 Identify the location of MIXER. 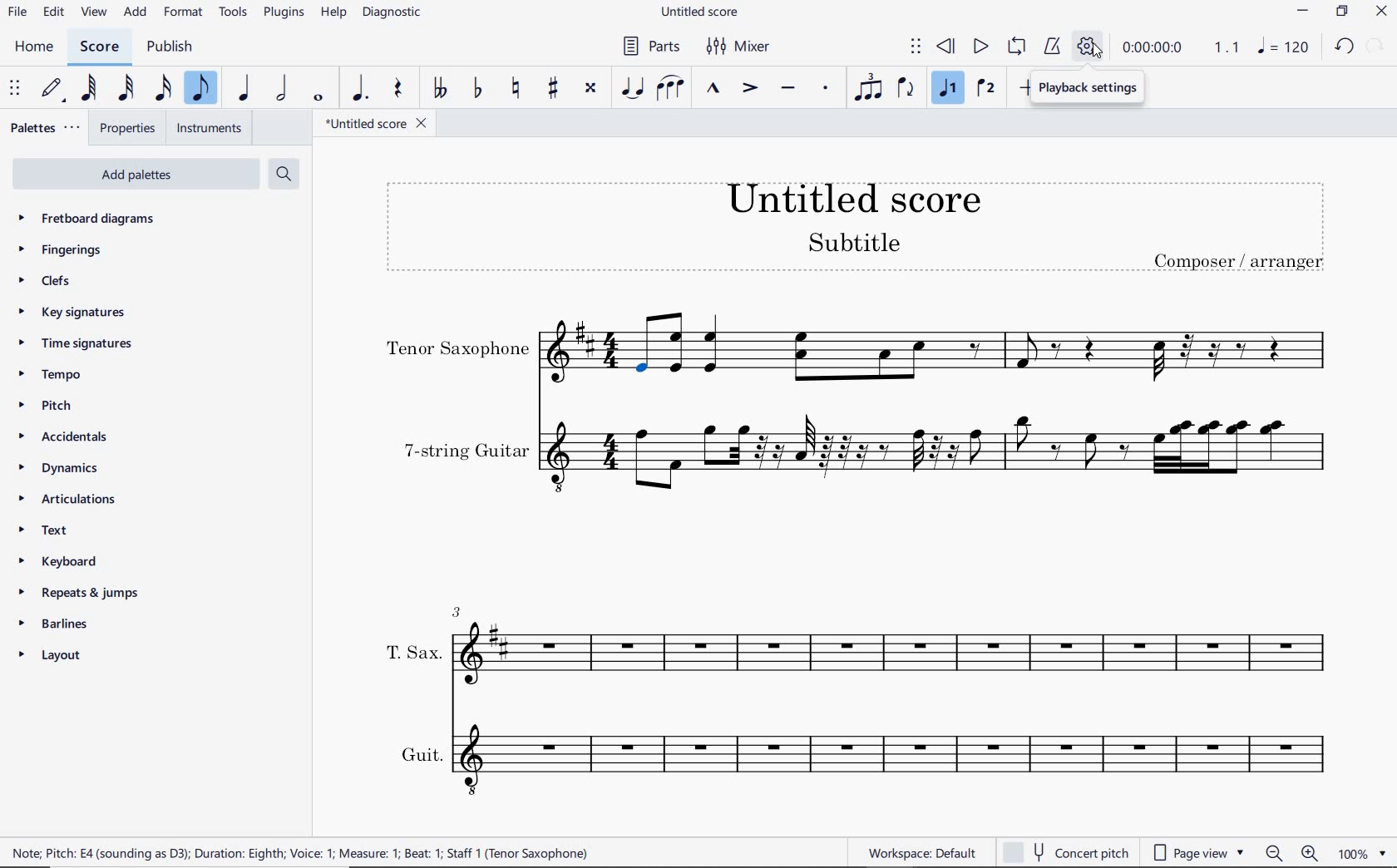
(747, 47).